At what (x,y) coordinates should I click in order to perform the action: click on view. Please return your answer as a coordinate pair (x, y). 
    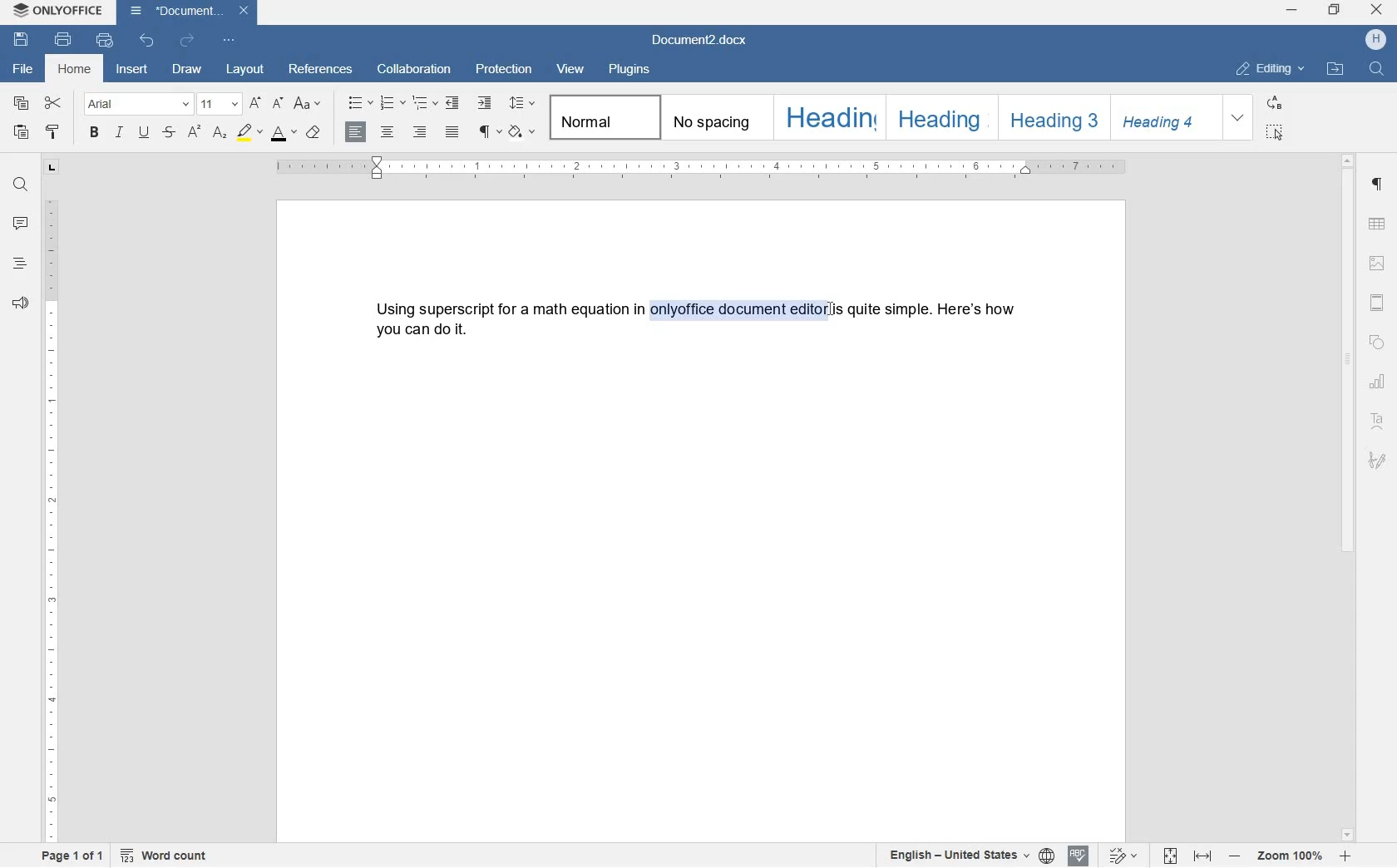
    Looking at the image, I should click on (571, 67).